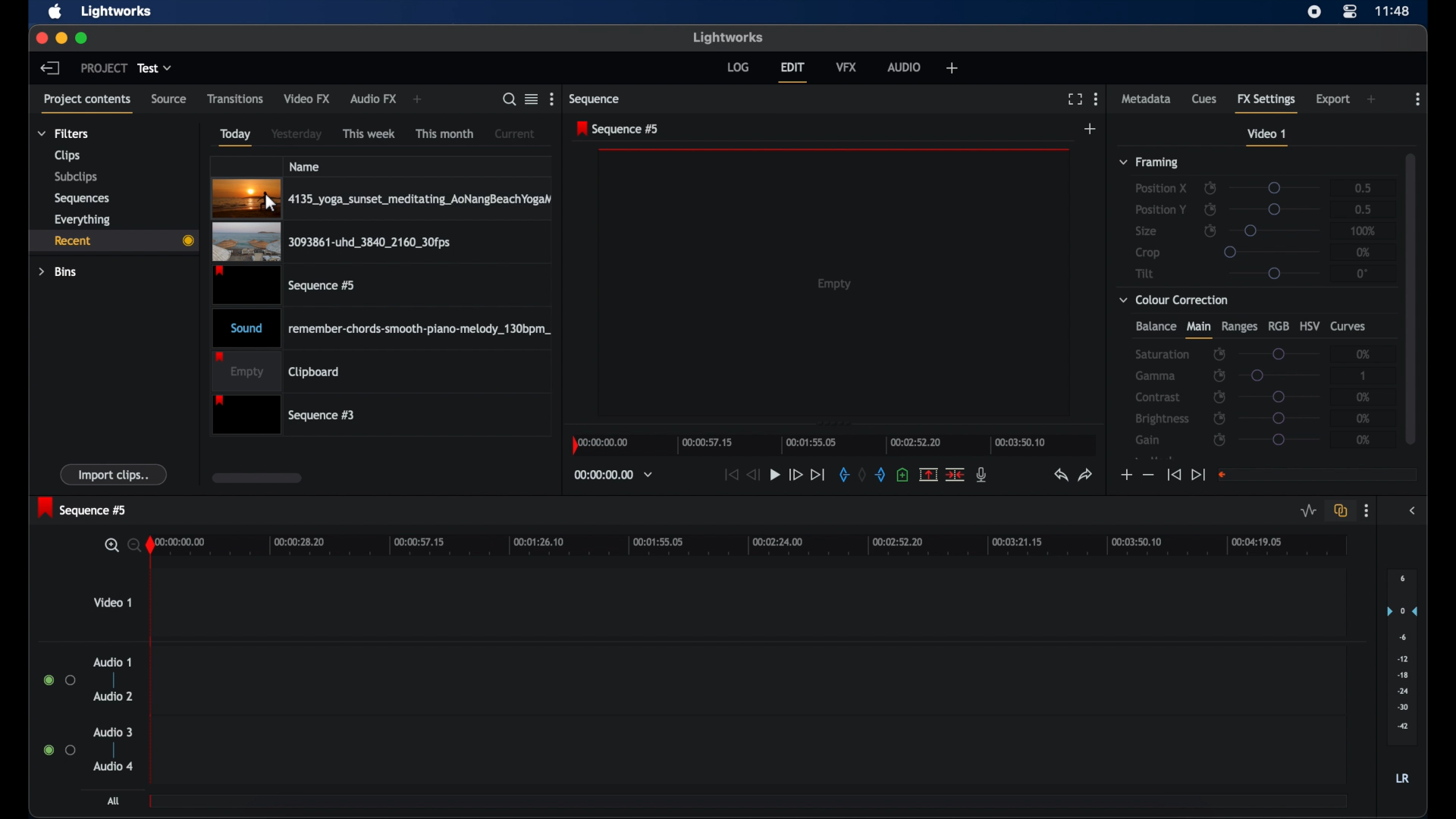  Describe the element at coordinates (1363, 231) in the screenshot. I see `100%` at that location.